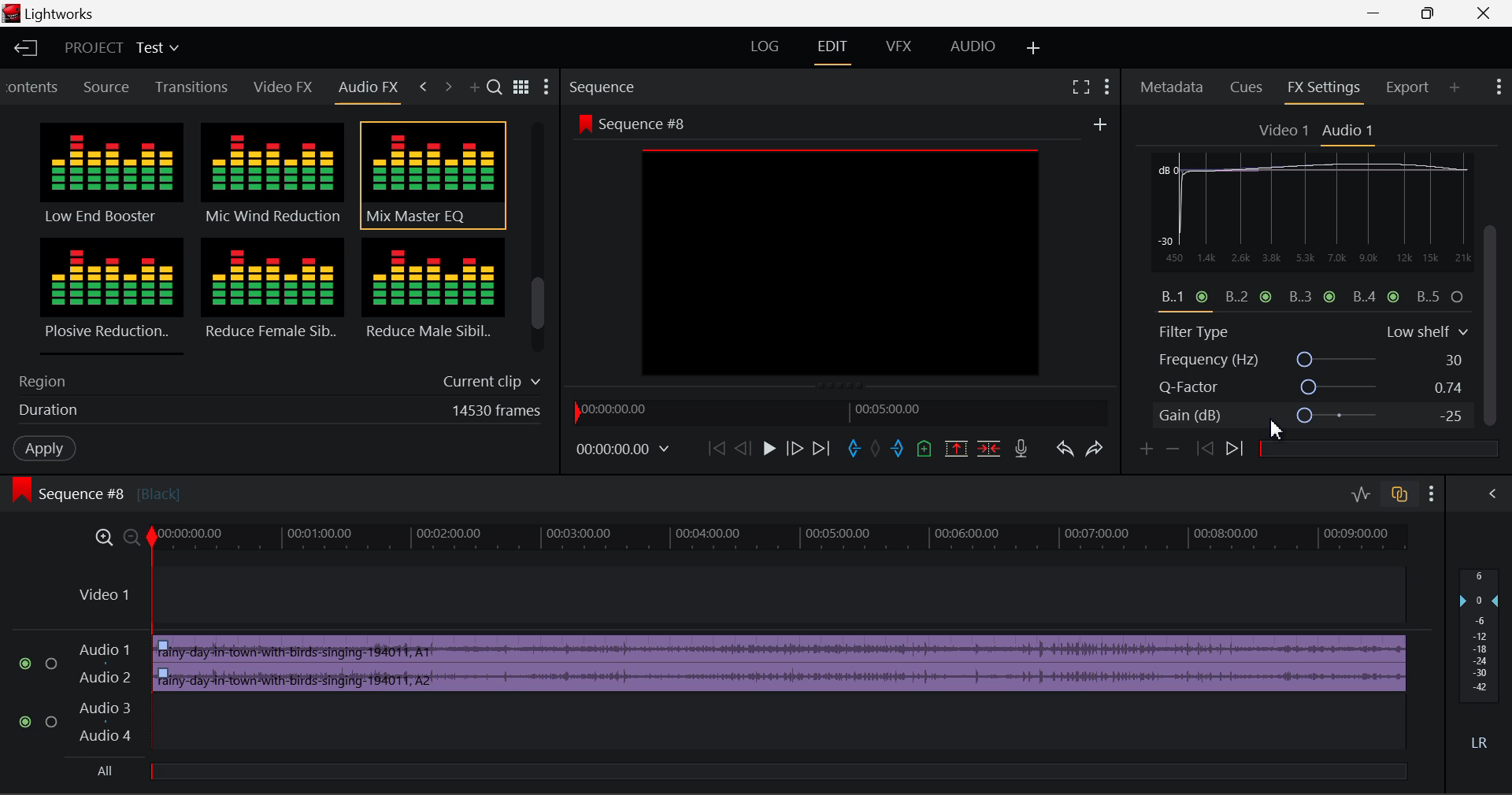 This screenshot has width=1512, height=795. Describe the element at coordinates (539, 241) in the screenshot. I see `Scroll Bar` at that location.